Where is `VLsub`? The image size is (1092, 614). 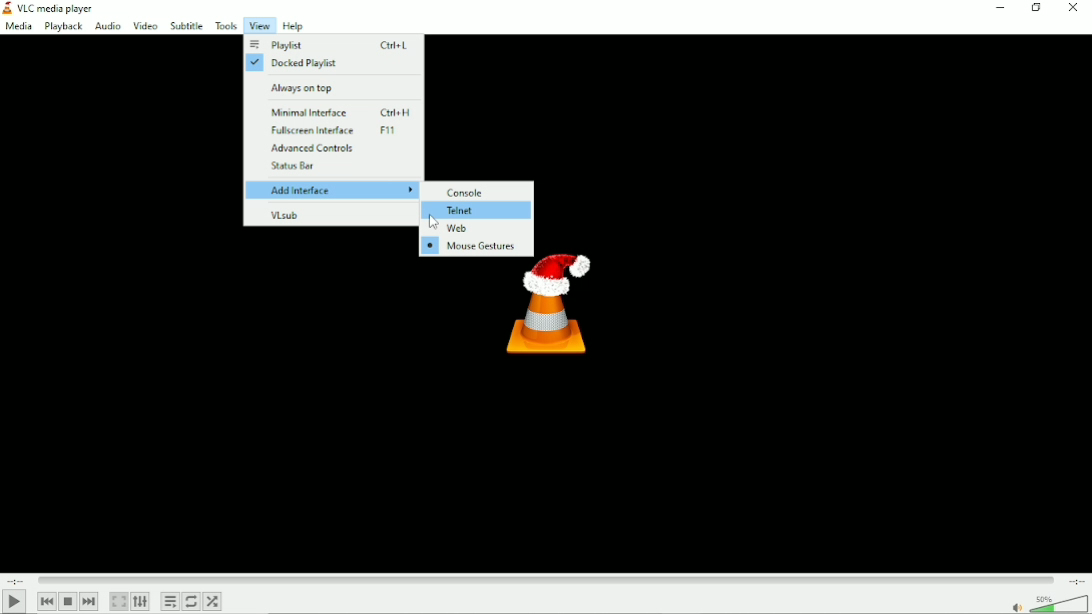
VLsub is located at coordinates (331, 213).